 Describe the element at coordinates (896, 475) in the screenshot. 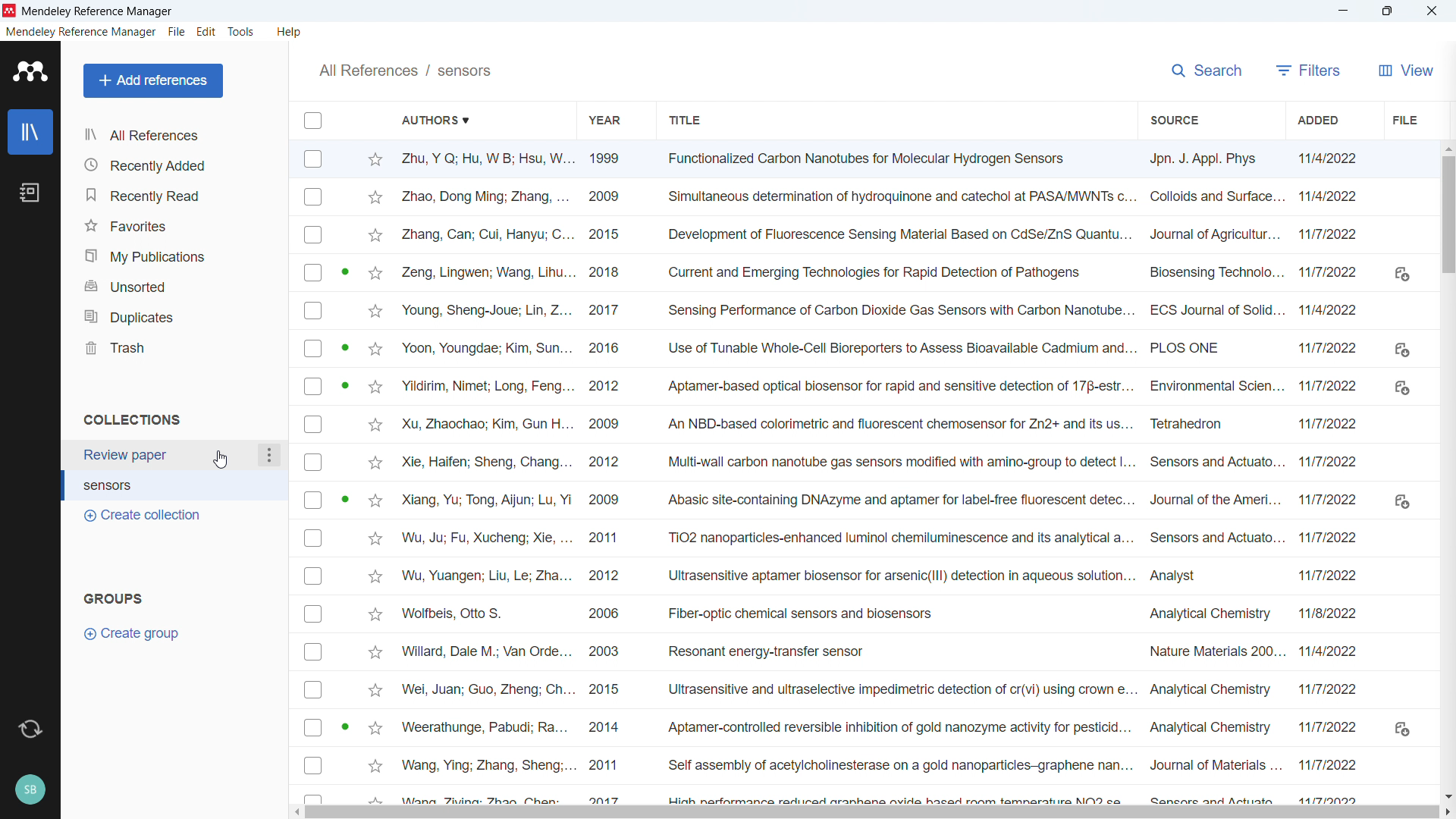

I see `Title of individual entries ` at that location.